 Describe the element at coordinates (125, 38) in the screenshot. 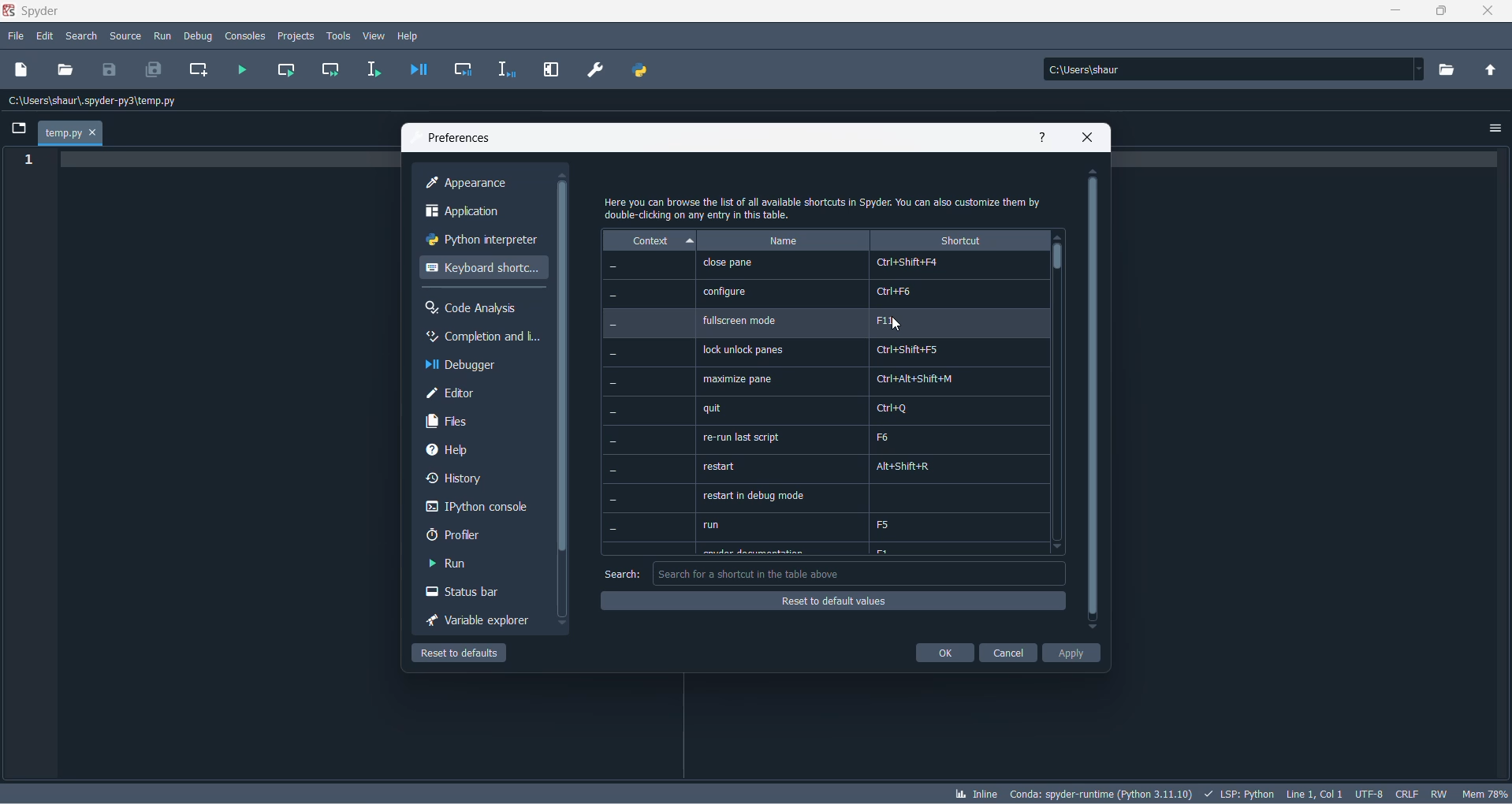

I see `source` at that location.